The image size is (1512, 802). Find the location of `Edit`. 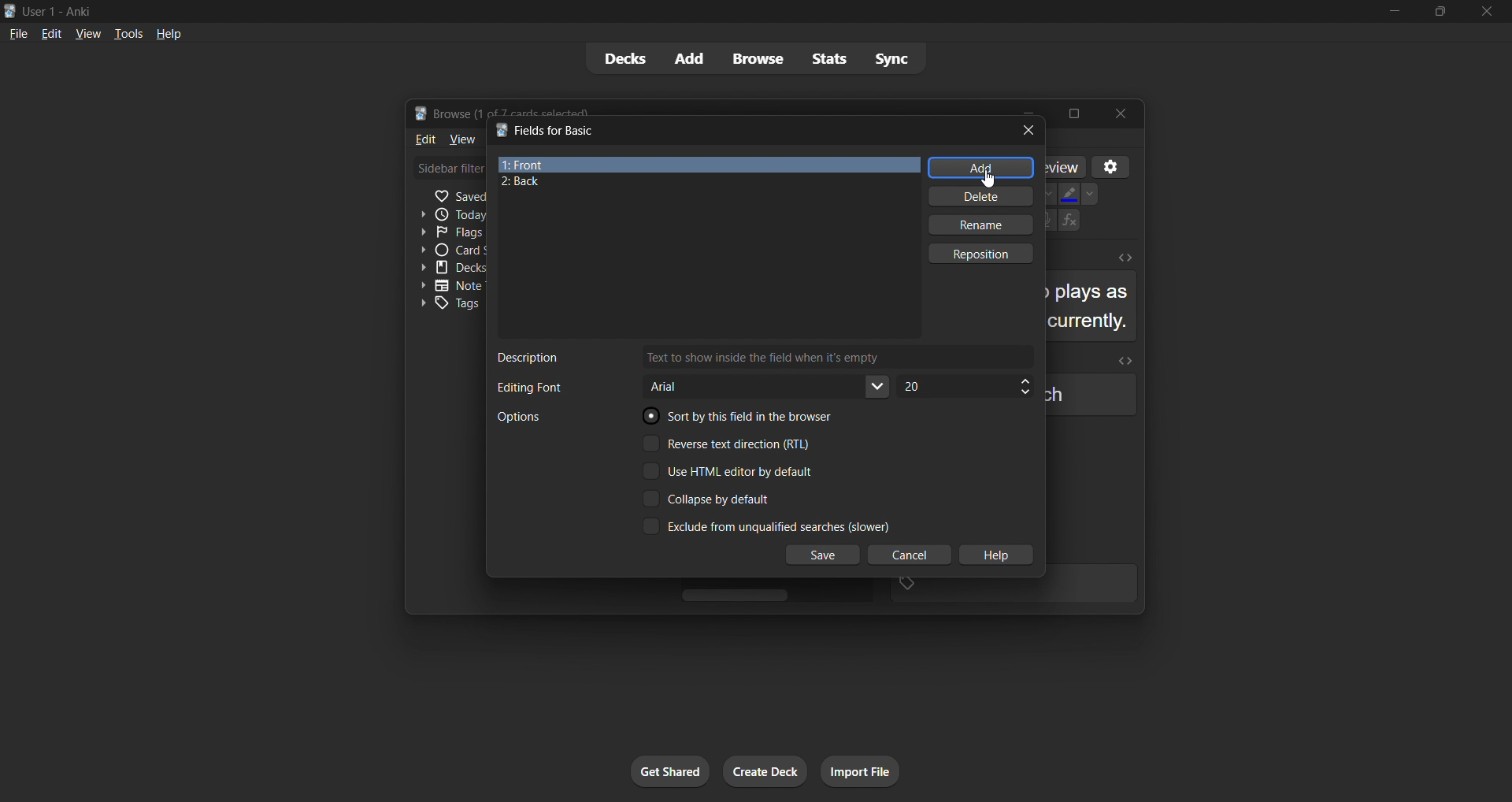

Edit is located at coordinates (422, 140).